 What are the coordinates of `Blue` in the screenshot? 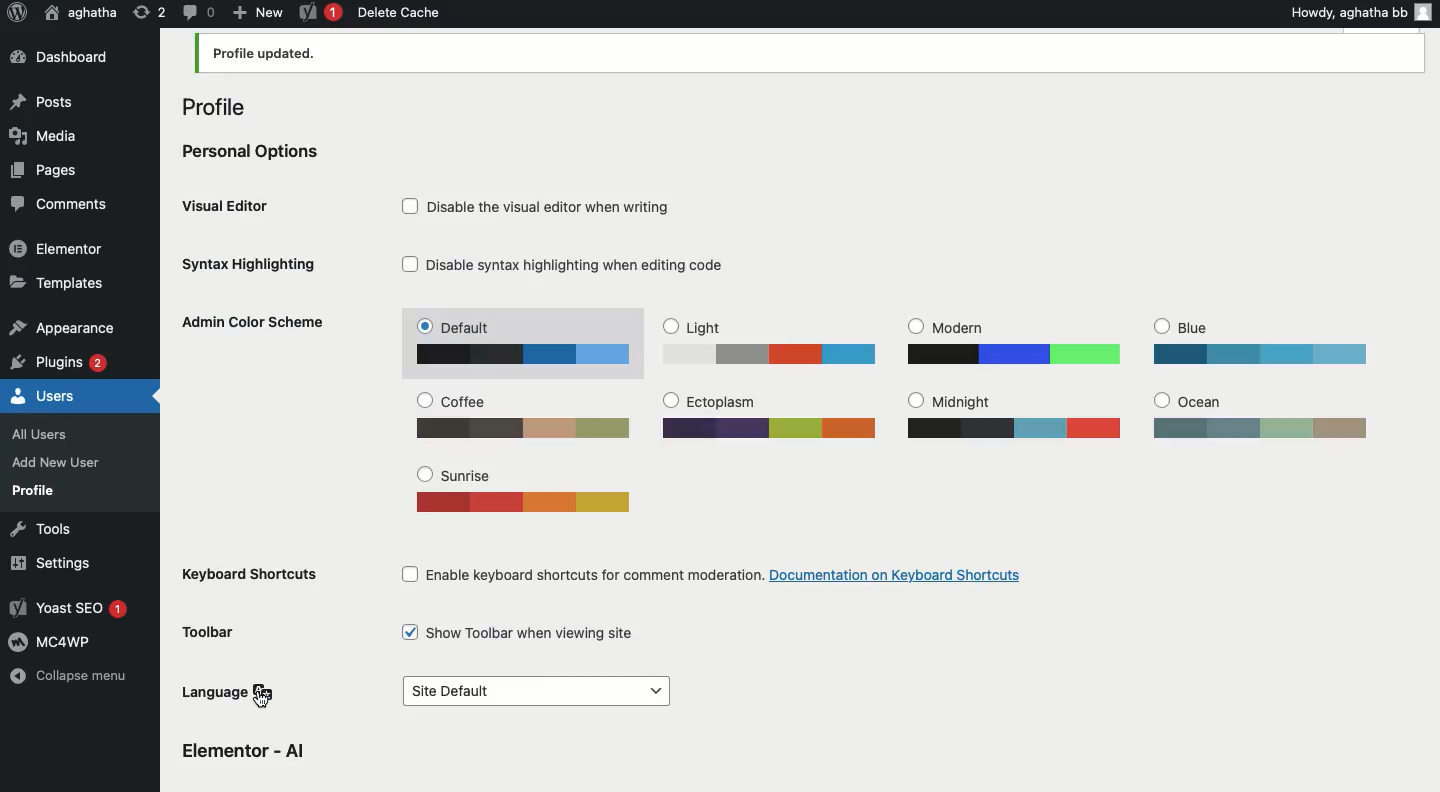 It's located at (1260, 341).